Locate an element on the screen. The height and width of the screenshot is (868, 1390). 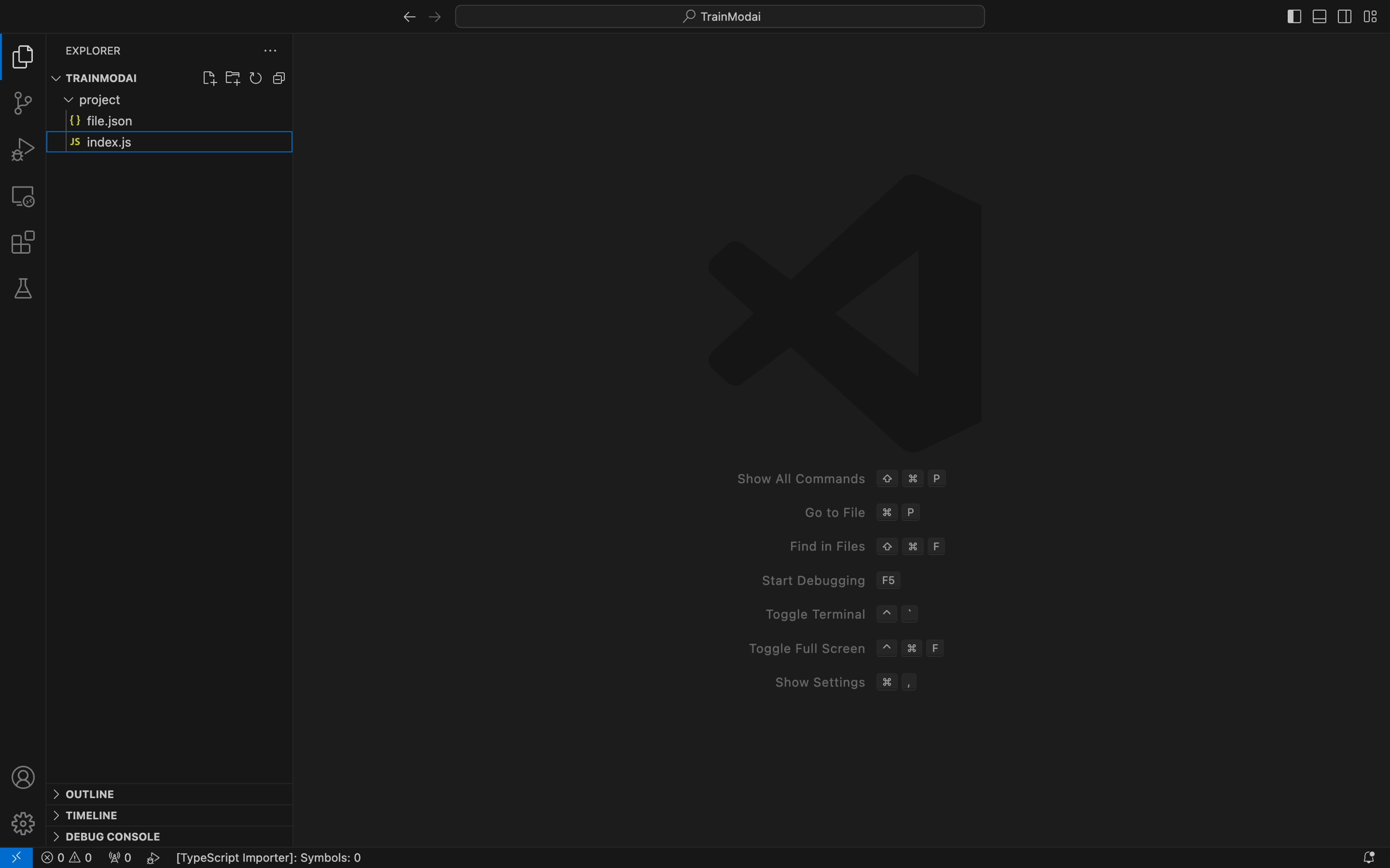
settings is located at coordinates (23, 823).